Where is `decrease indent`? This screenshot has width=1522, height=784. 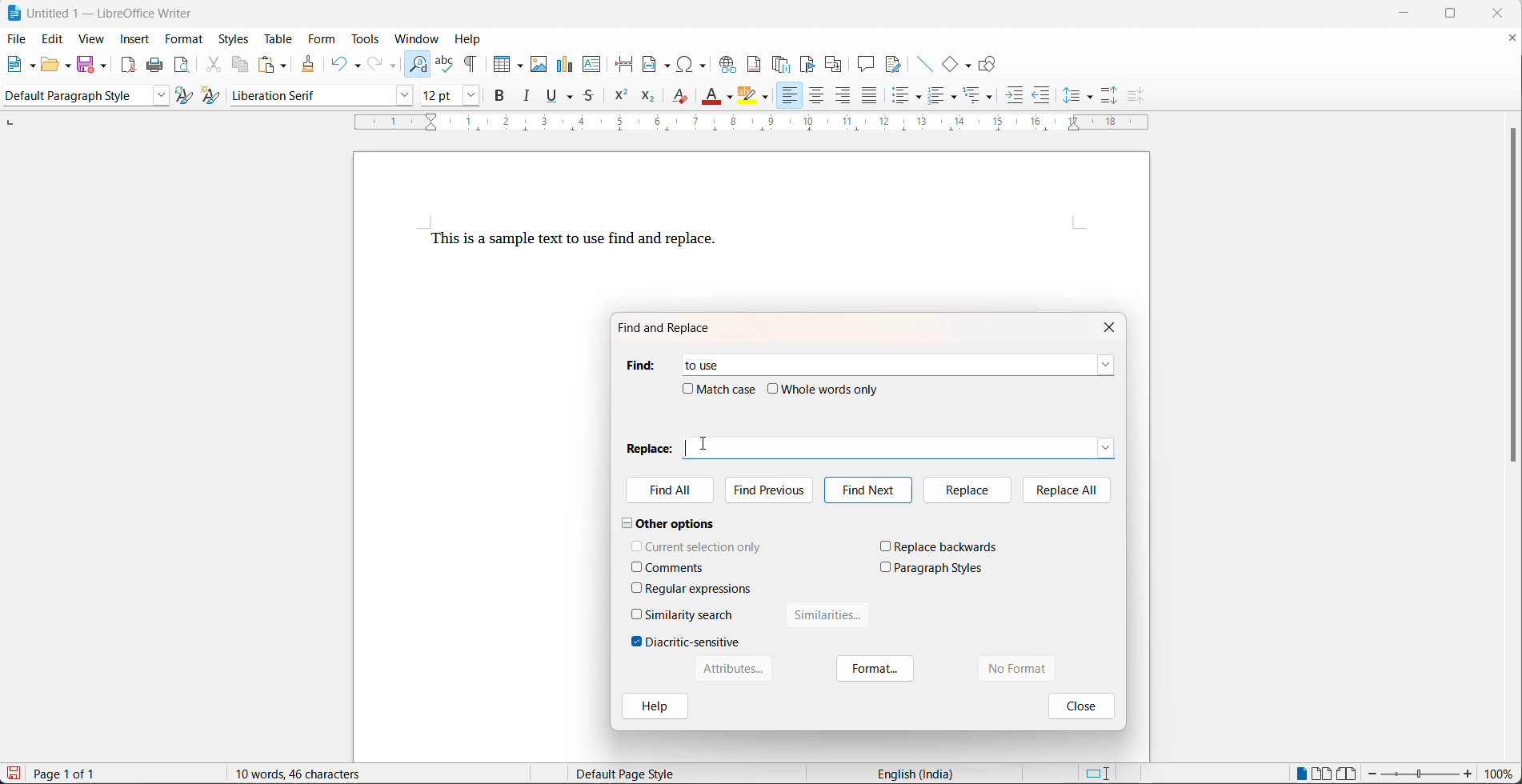
decrease indent is located at coordinates (1042, 98).